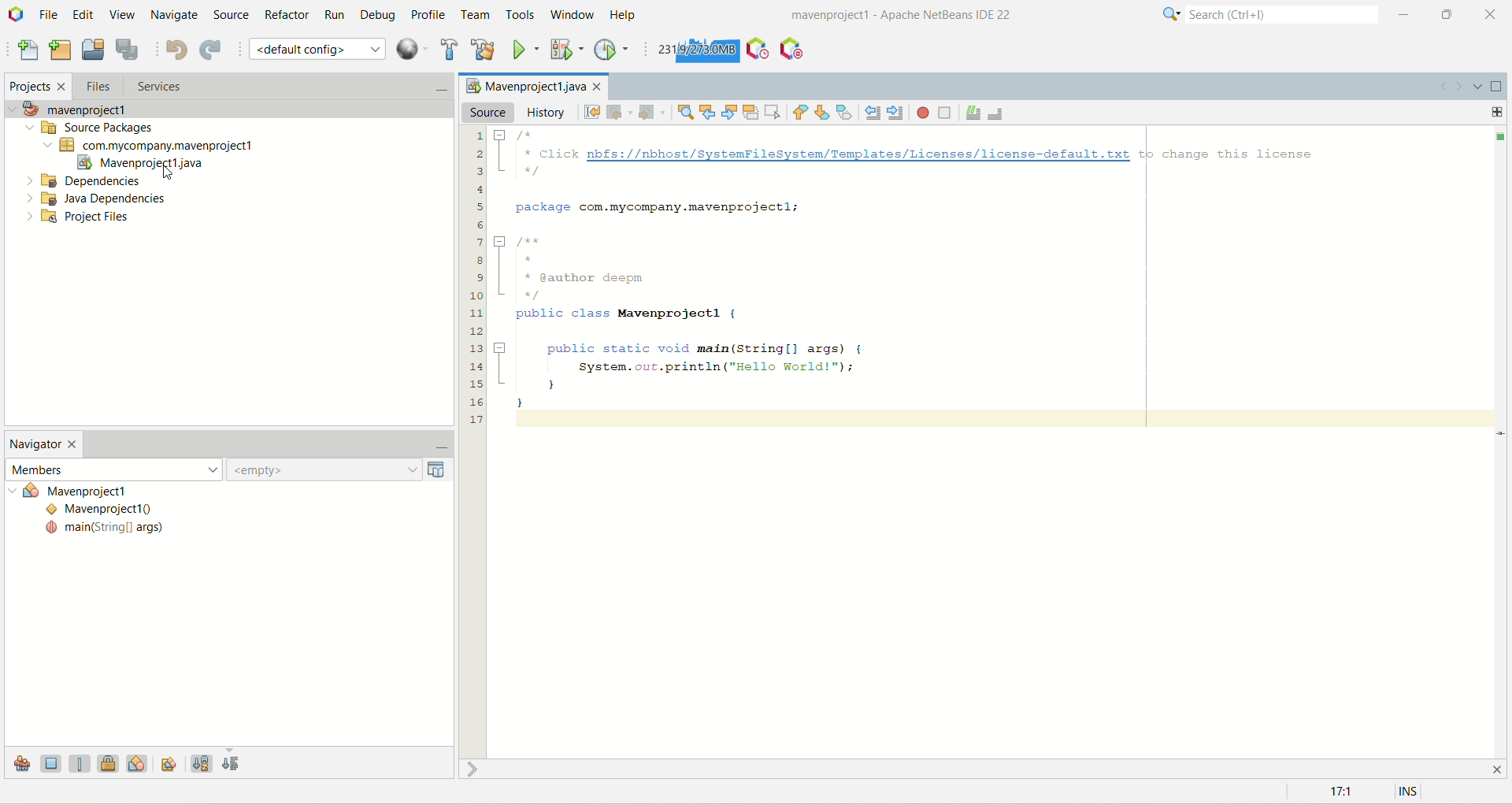  Describe the element at coordinates (232, 765) in the screenshot. I see `sort by source` at that location.